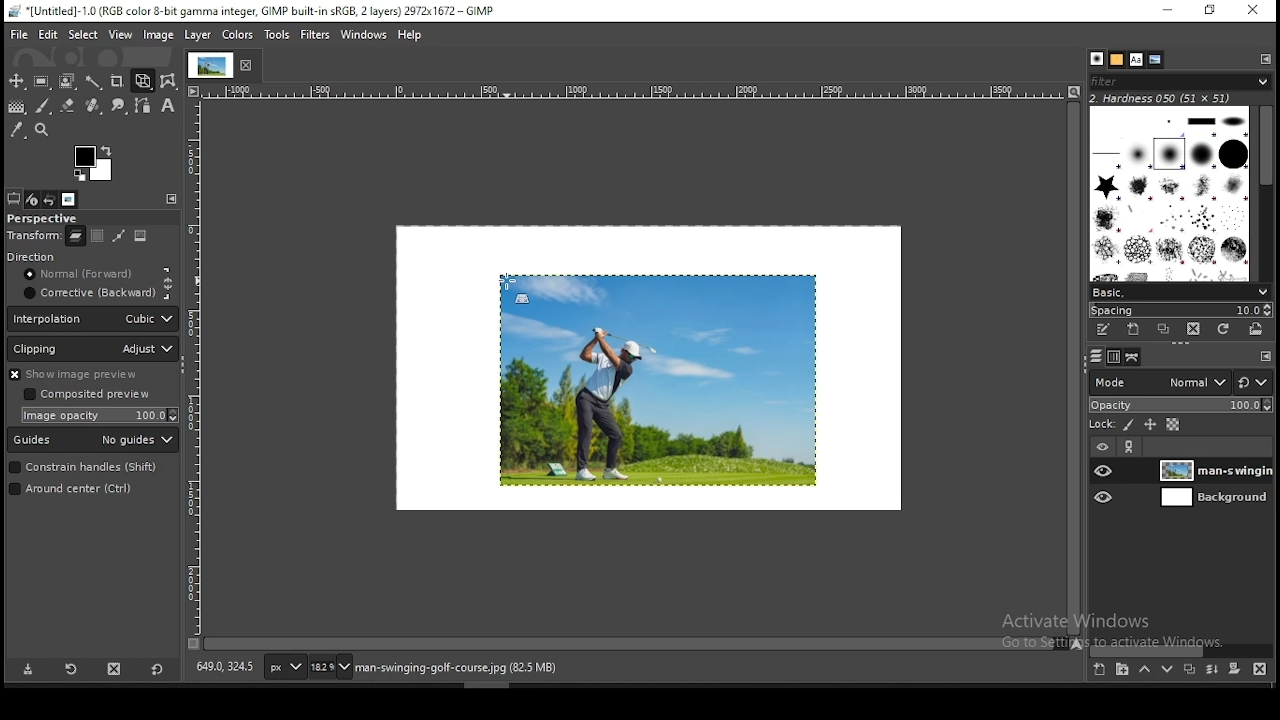 Image resolution: width=1280 pixels, height=720 pixels. What do you see at coordinates (633, 89) in the screenshot?
I see `horizontal scale ` at bounding box center [633, 89].